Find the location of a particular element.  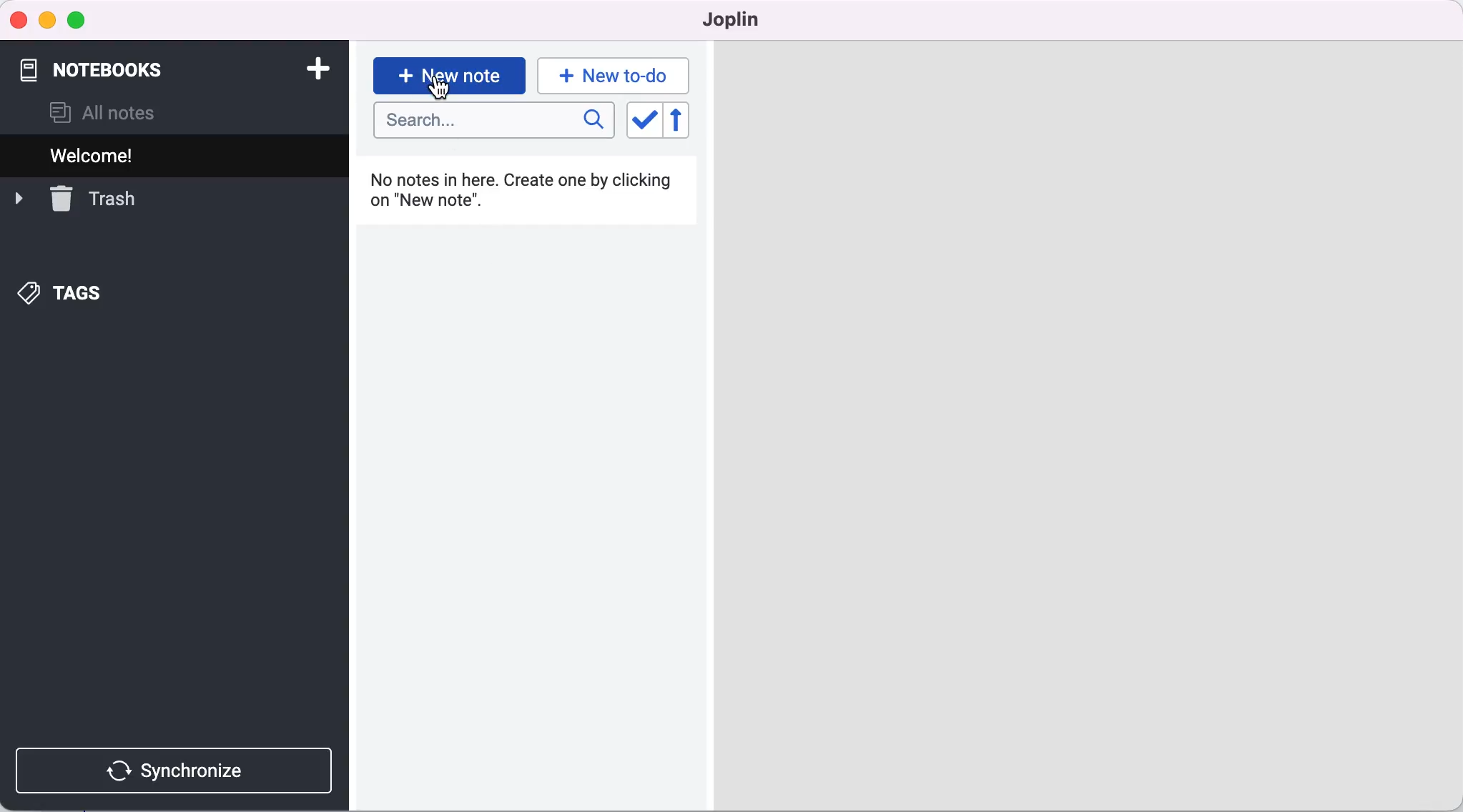

new note is located at coordinates (449, 71).